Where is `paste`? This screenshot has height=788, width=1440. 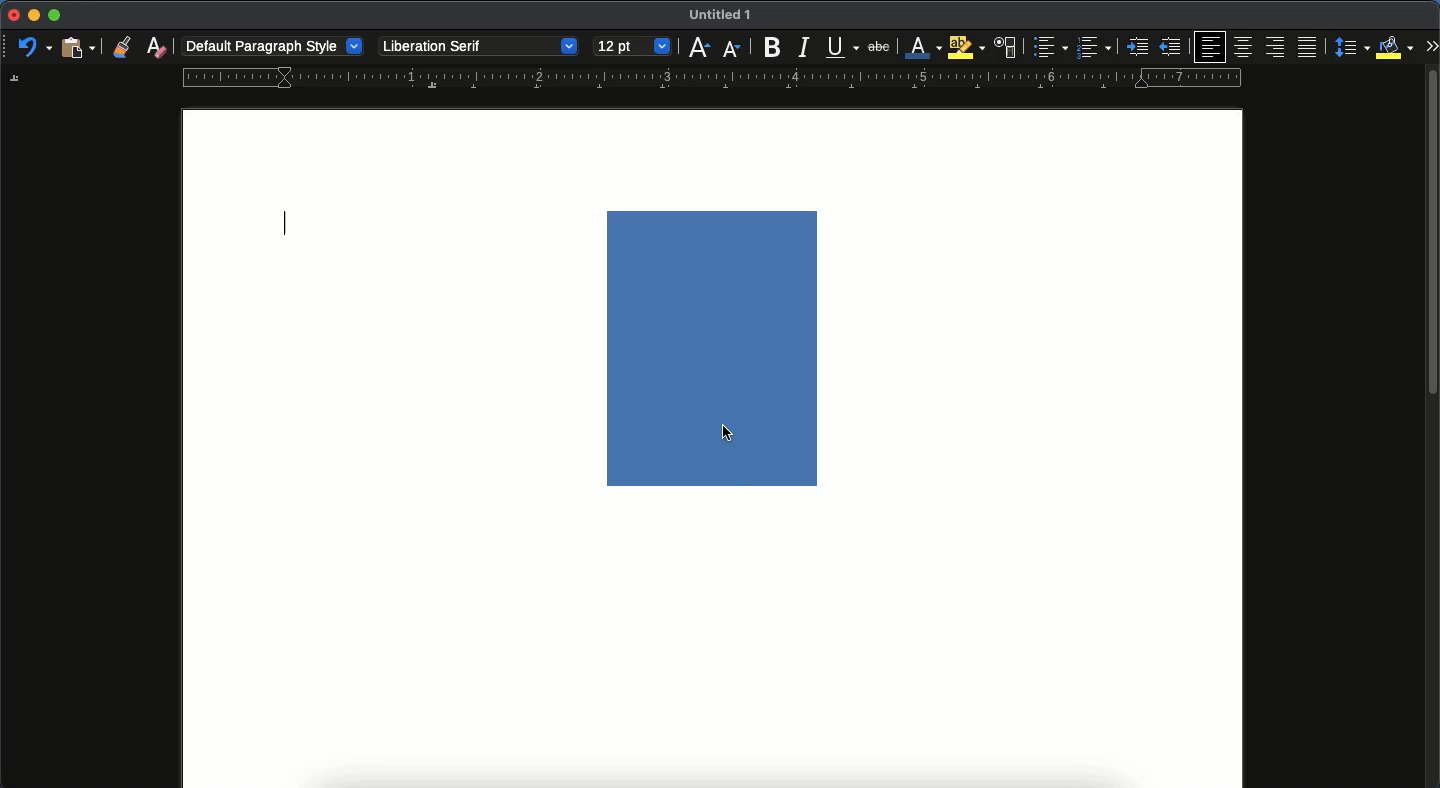 paste is located at coordinates (79, 47).